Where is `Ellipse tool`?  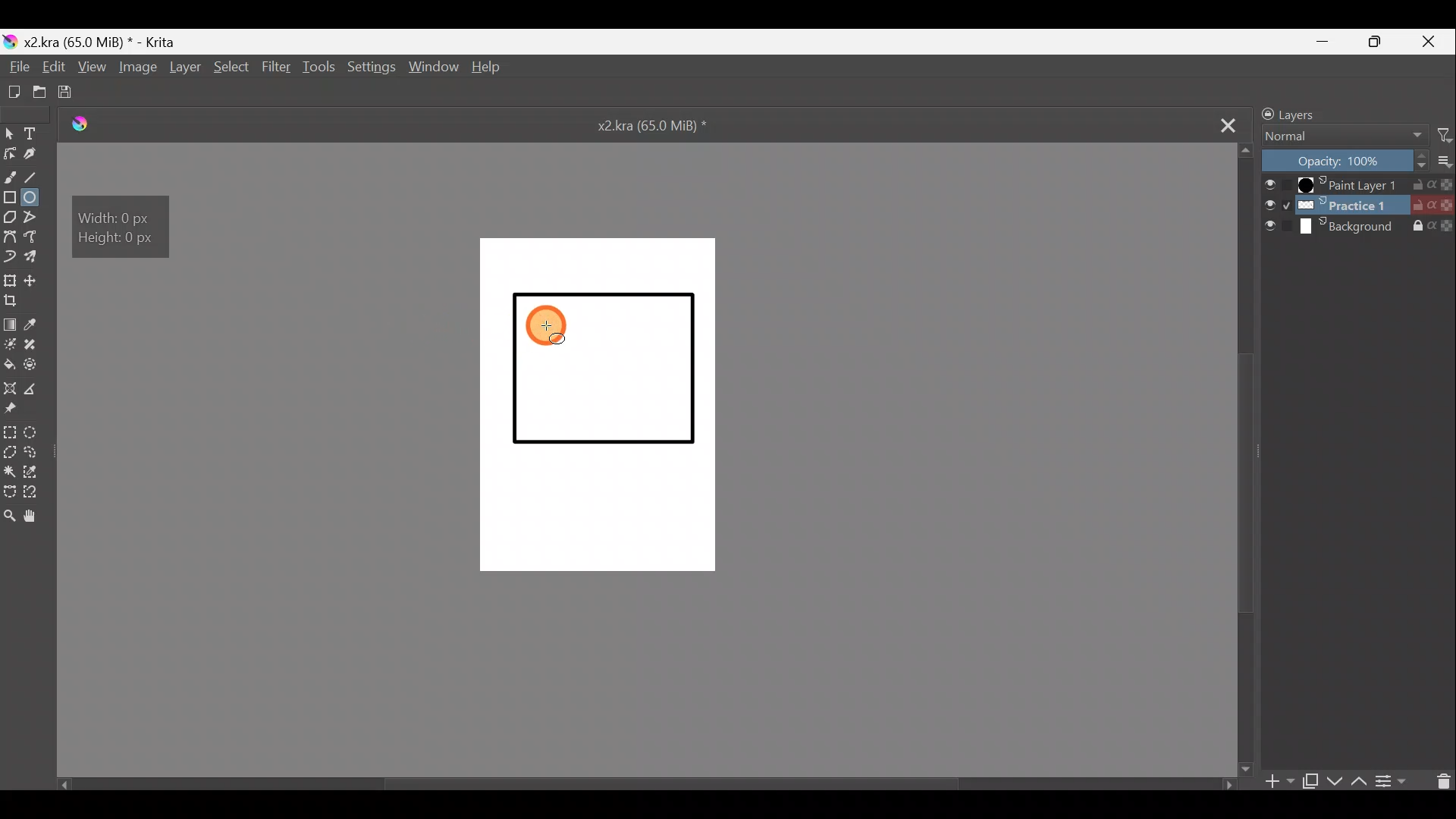
Ellipse tool is located at coordinates (36, 199).